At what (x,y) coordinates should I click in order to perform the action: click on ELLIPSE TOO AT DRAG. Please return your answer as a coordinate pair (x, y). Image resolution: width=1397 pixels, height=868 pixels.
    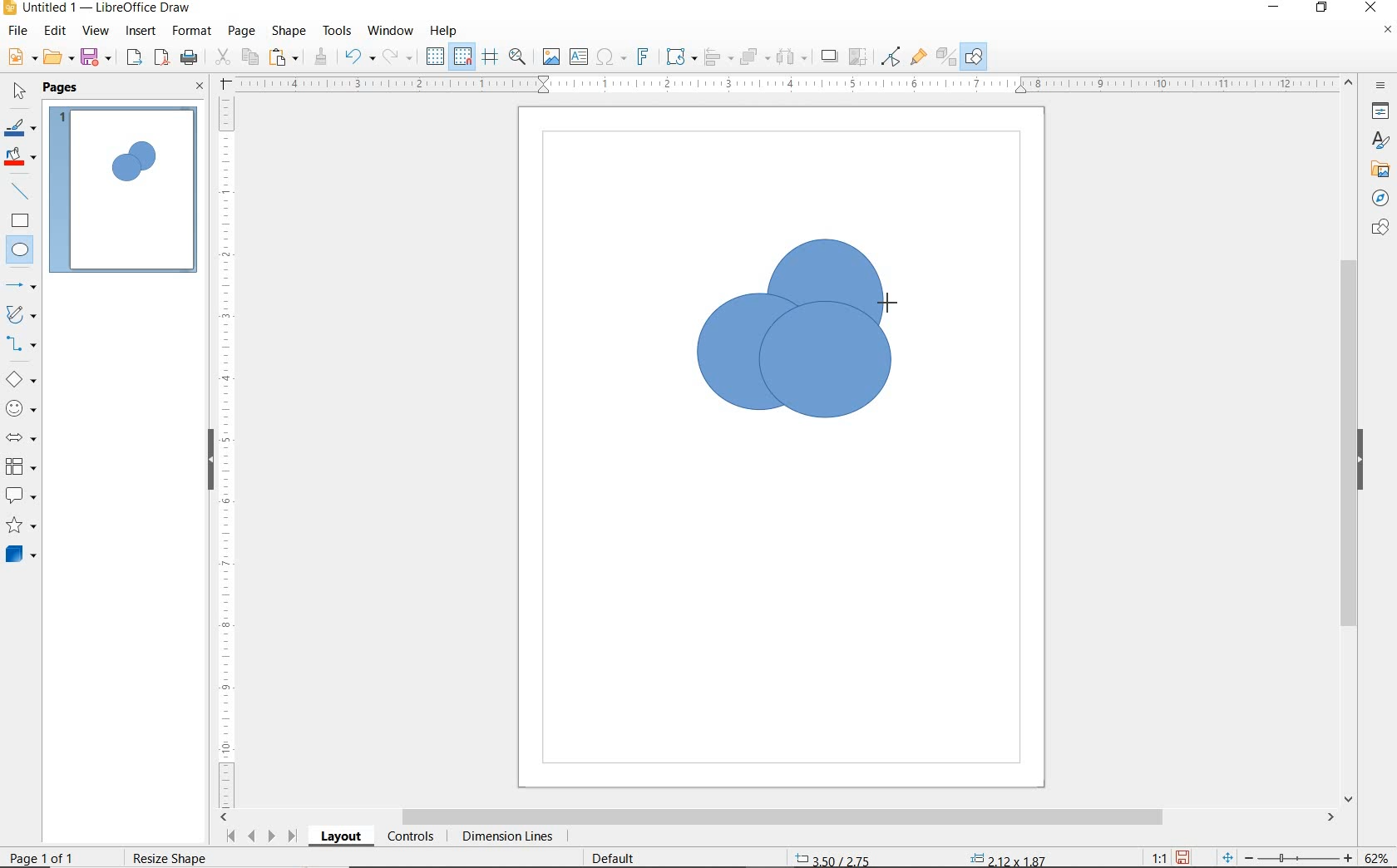
    Looking at the image, I should click on (881, 242).